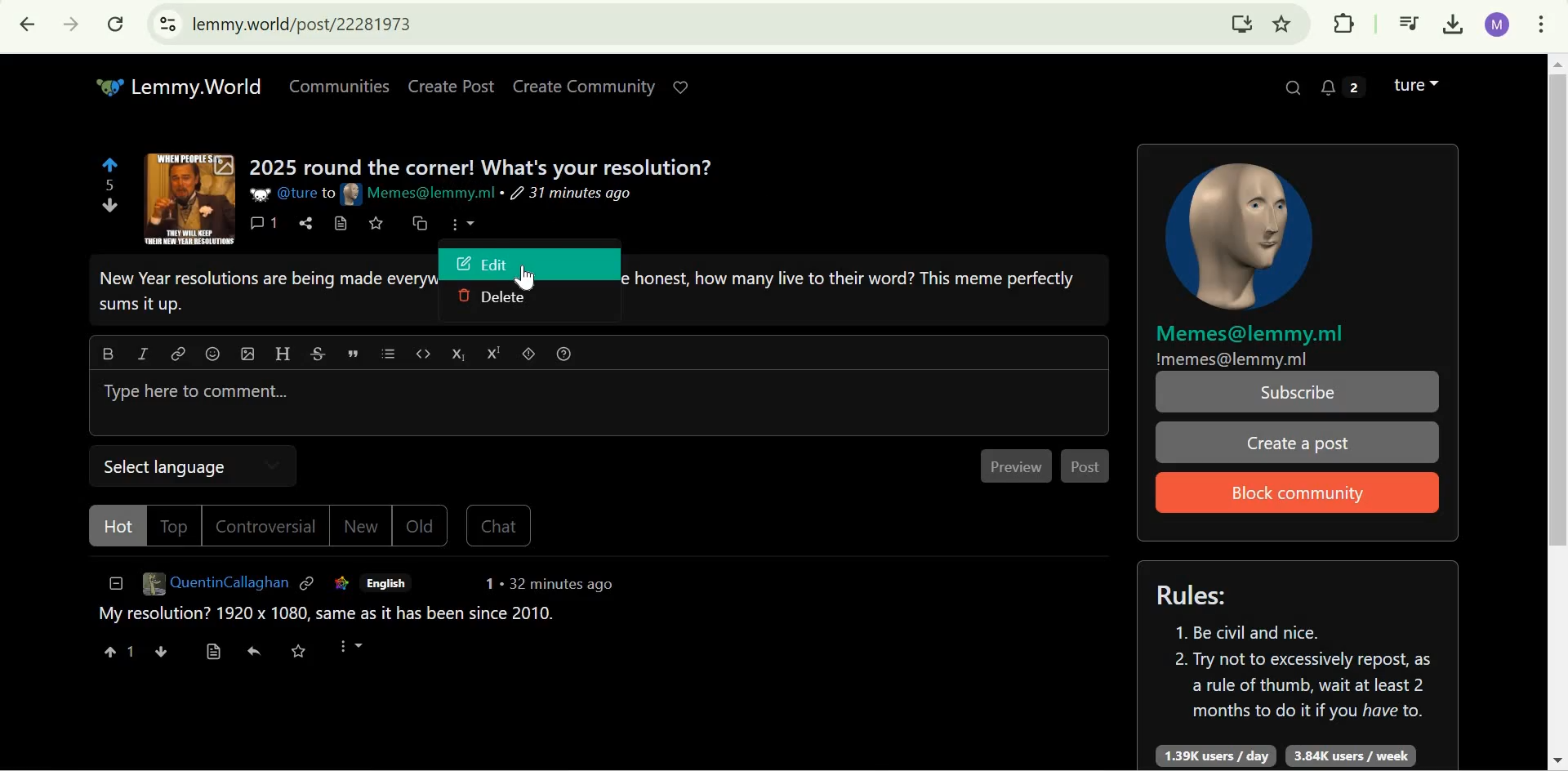 Image resolution: width=1568 pixels, height=771 pixels. Describe the element at coordinates (118, 24) in the screenshot. I see `Reload this page` at that location.